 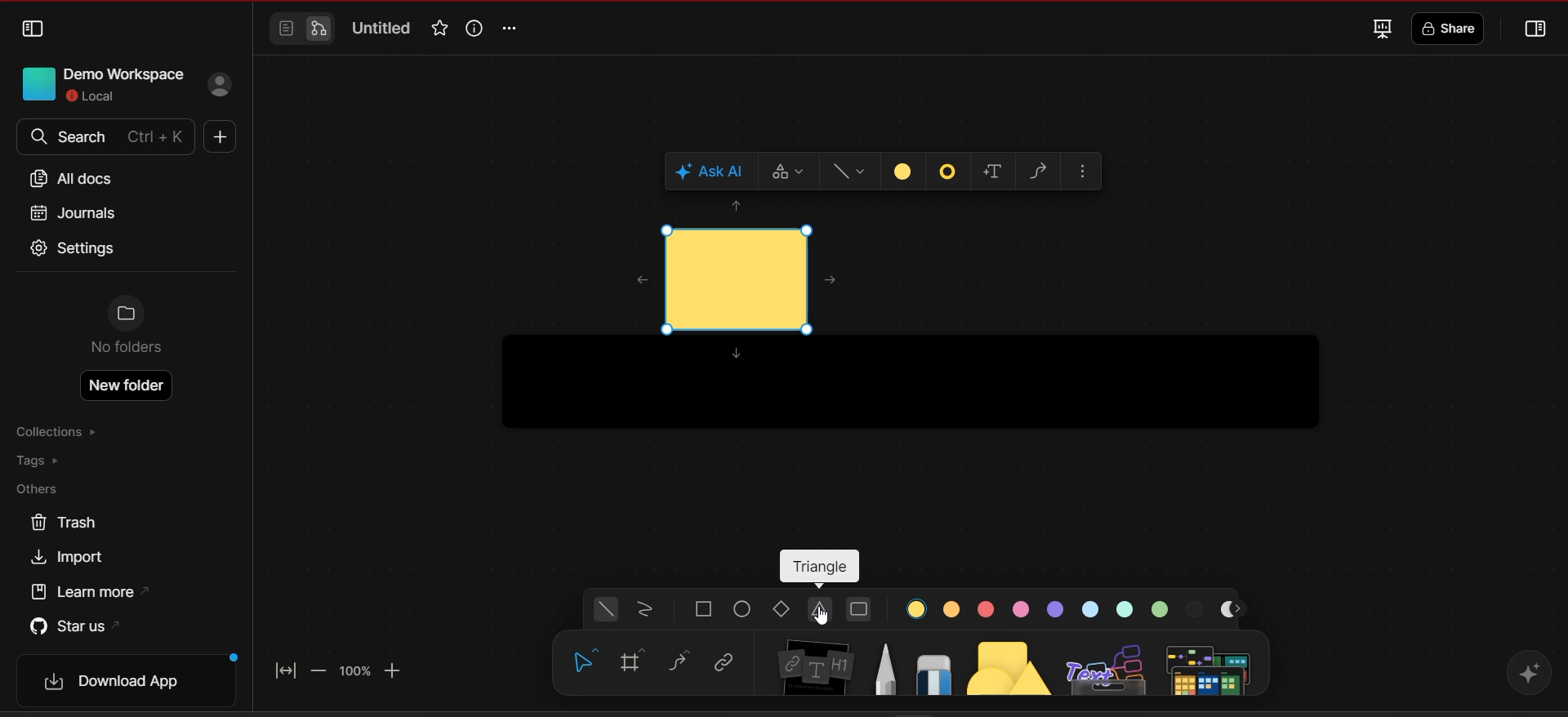 What do you see at coordinates (1020, 609) in the screenshot?
I see `color 4` at bounding box center [1020, 609].